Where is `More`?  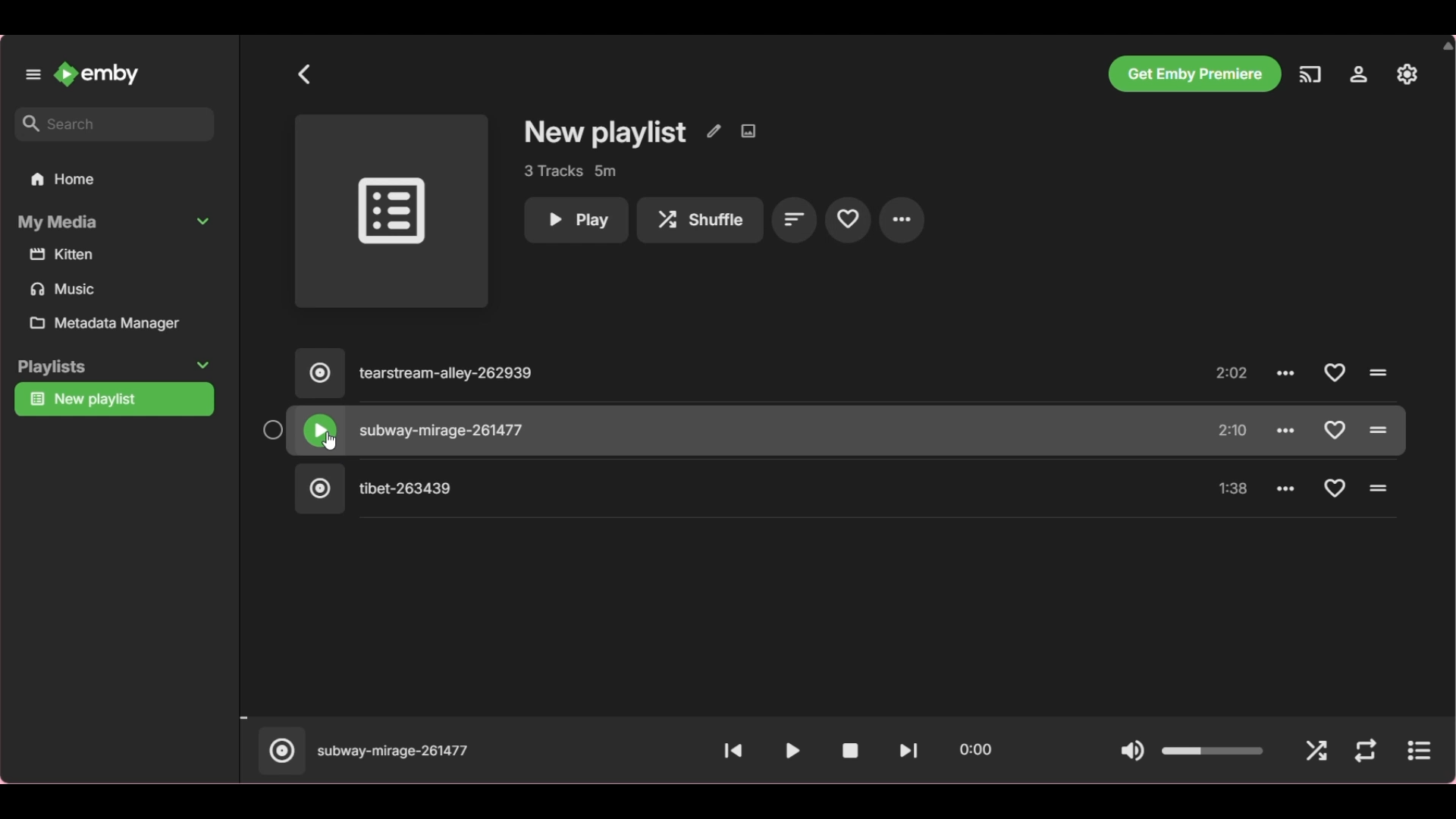 More is located at coordinates (902, 220).